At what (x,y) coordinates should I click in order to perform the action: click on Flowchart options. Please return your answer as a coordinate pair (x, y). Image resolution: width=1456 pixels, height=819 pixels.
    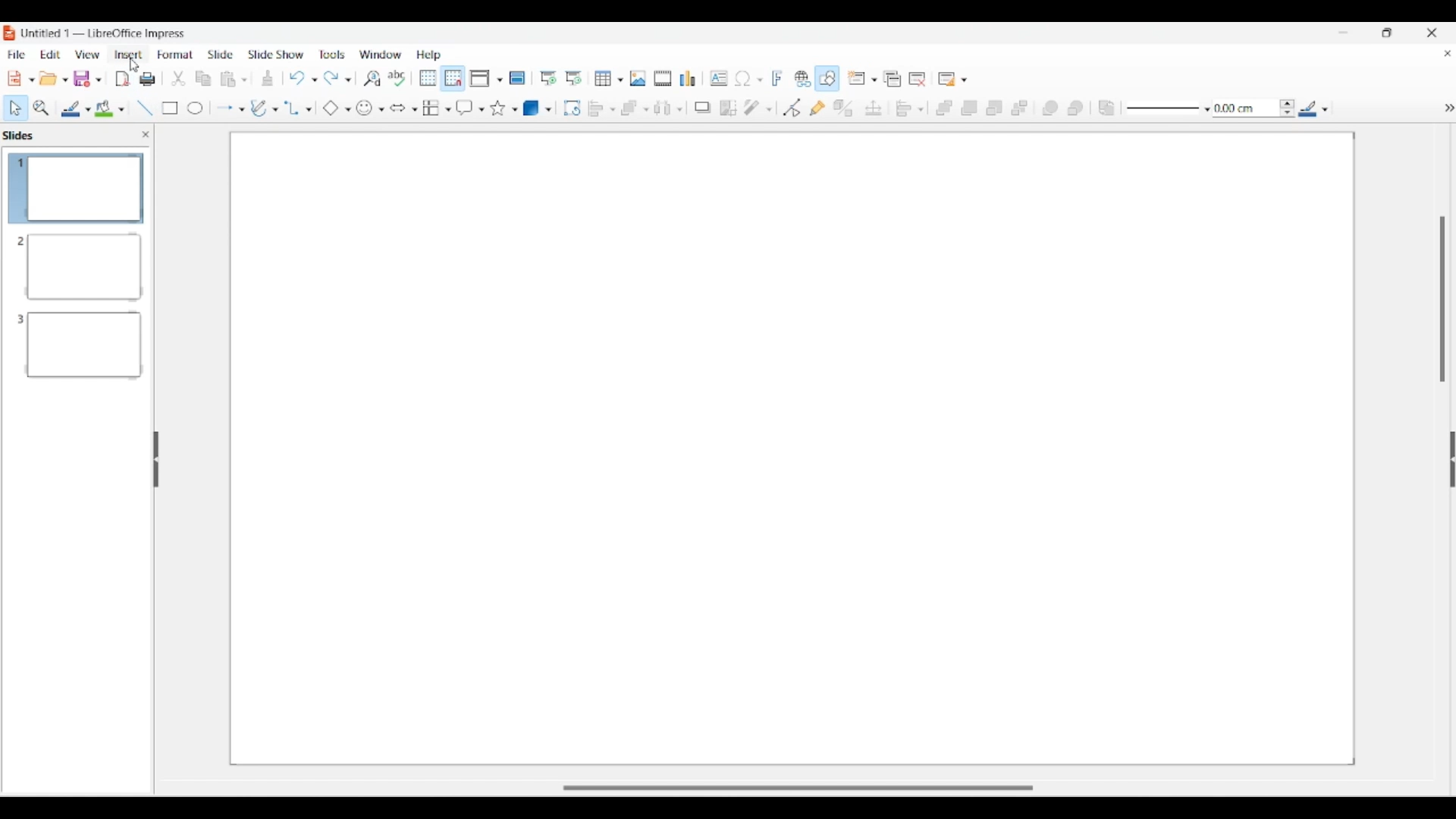
    Looking at the image, I should click on (436, 108).